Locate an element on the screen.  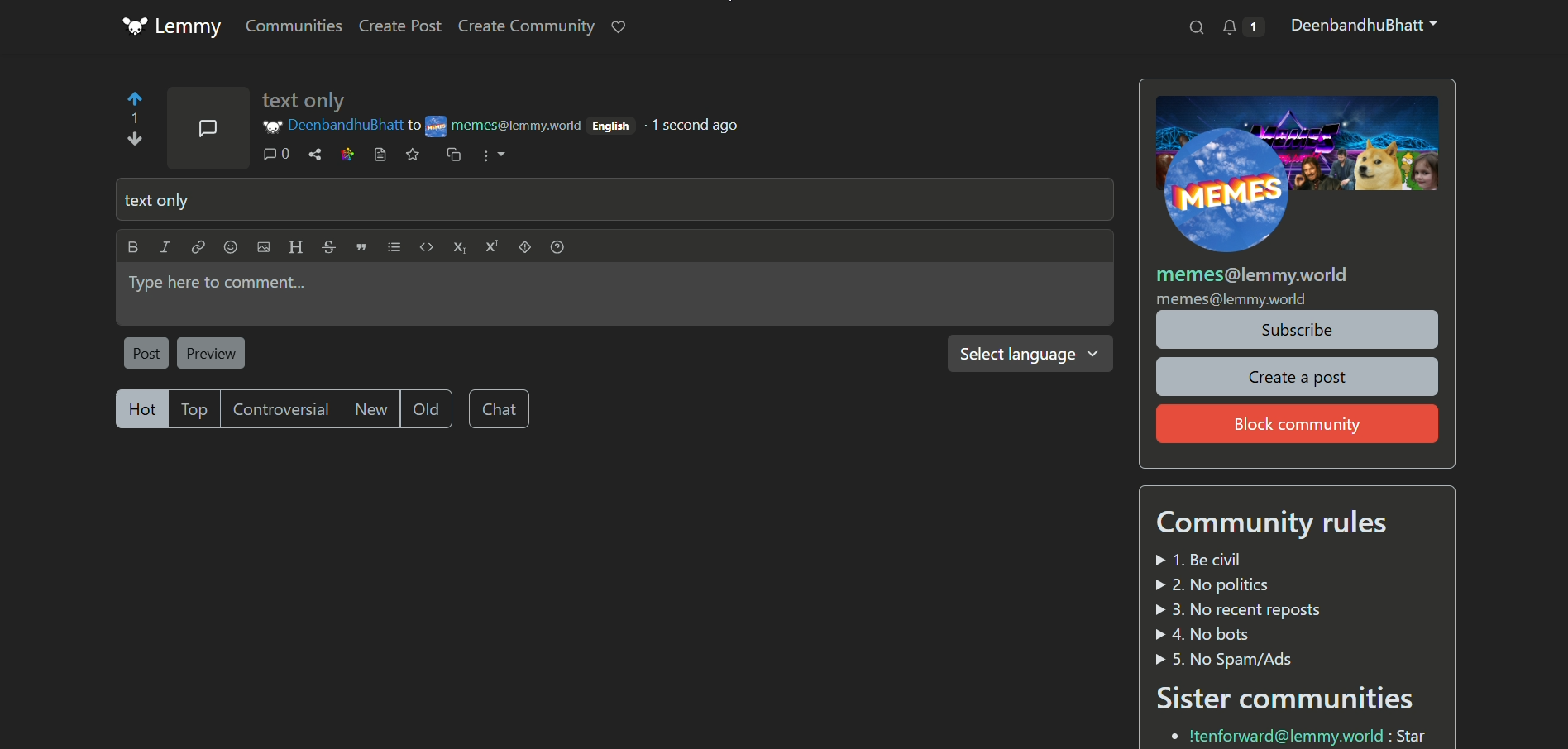
link post is located at coordinates (380, 154).